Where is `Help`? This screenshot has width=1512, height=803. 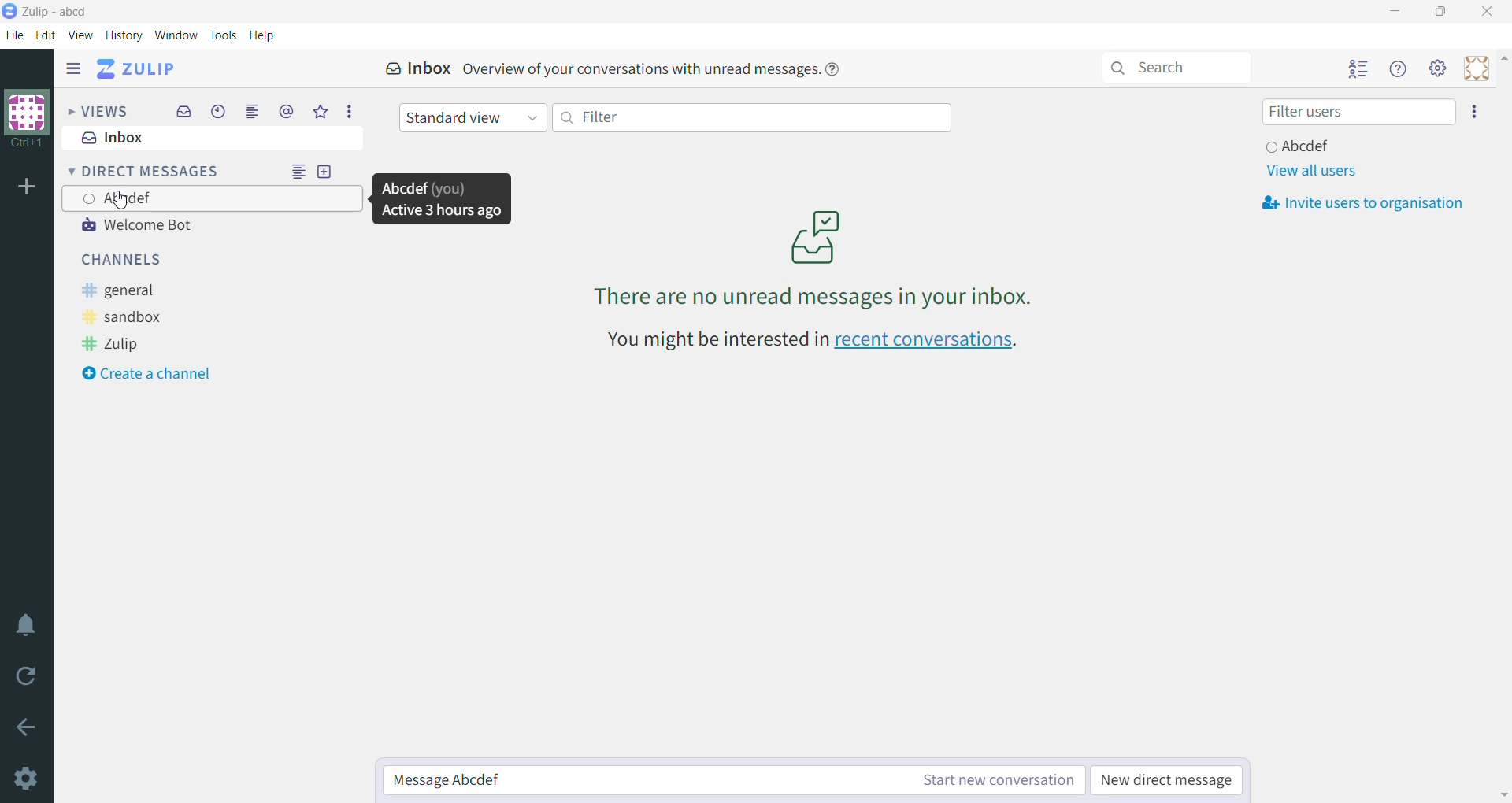 Help is located at coordinates (265, 35).